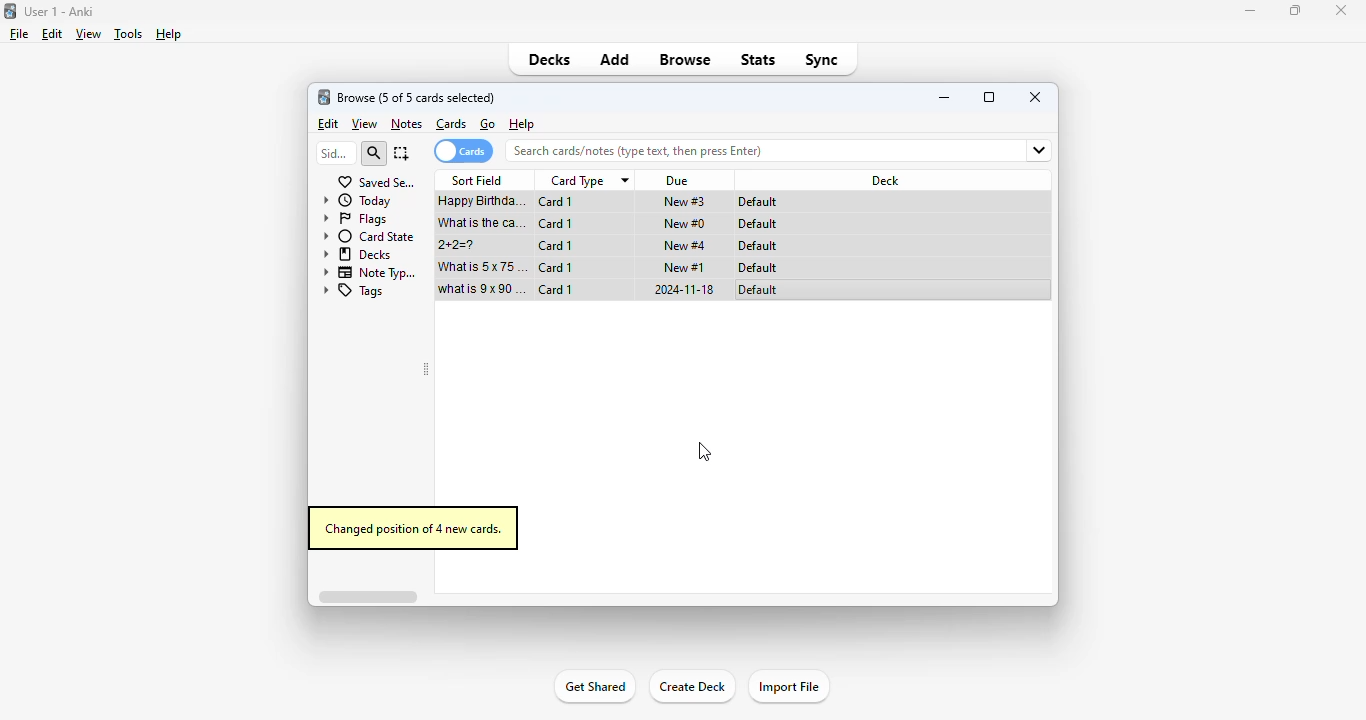 This screenshot has width=1366, height=720. Describe the element at coordinates (485, 203) in the screenshot. I see `mouse down` at that location.